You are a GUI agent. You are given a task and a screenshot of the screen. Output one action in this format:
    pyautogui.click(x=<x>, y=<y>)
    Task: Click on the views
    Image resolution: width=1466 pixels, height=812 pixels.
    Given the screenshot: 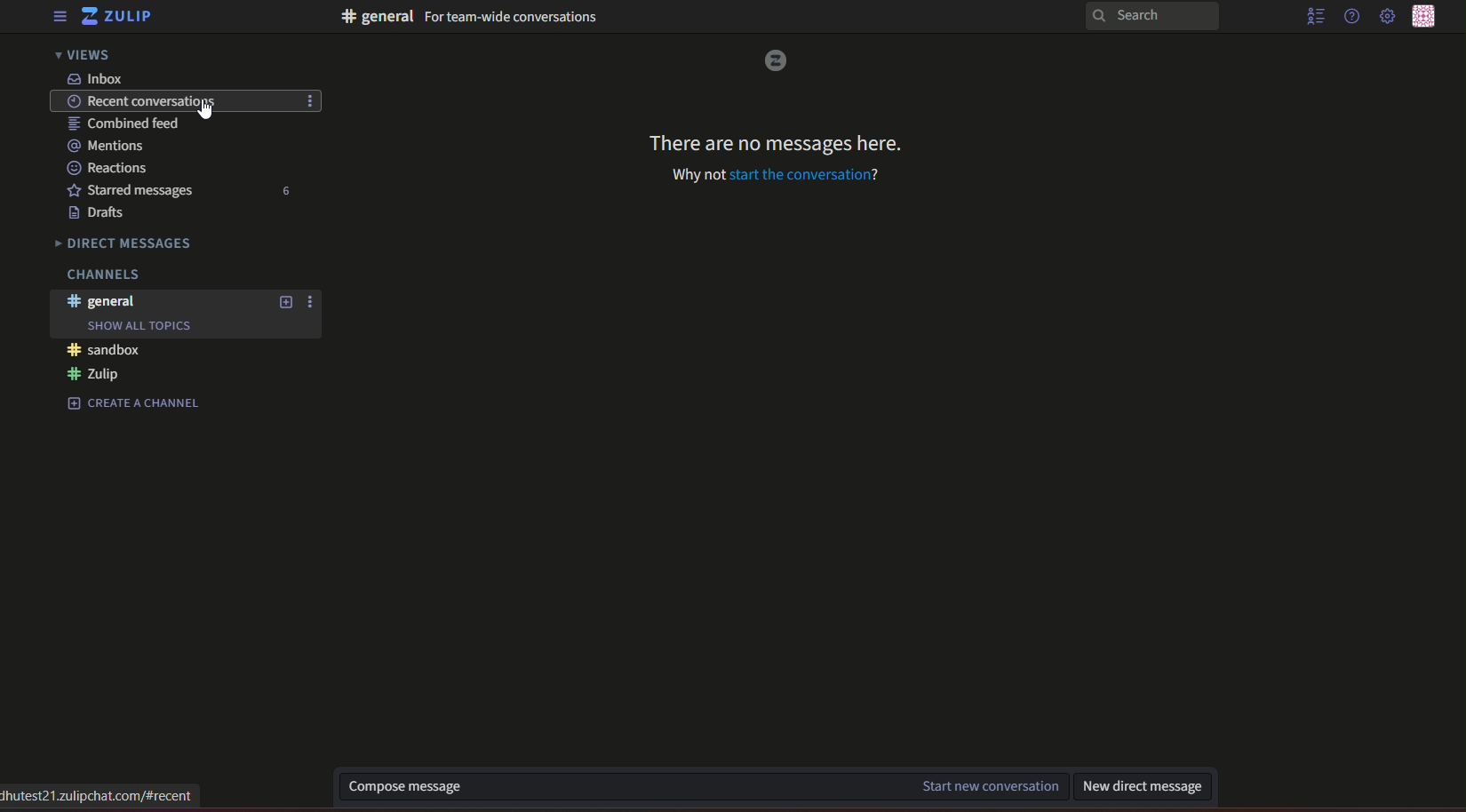 What is the action you would take?
    pyautogui.click(x=89, y=56)
    